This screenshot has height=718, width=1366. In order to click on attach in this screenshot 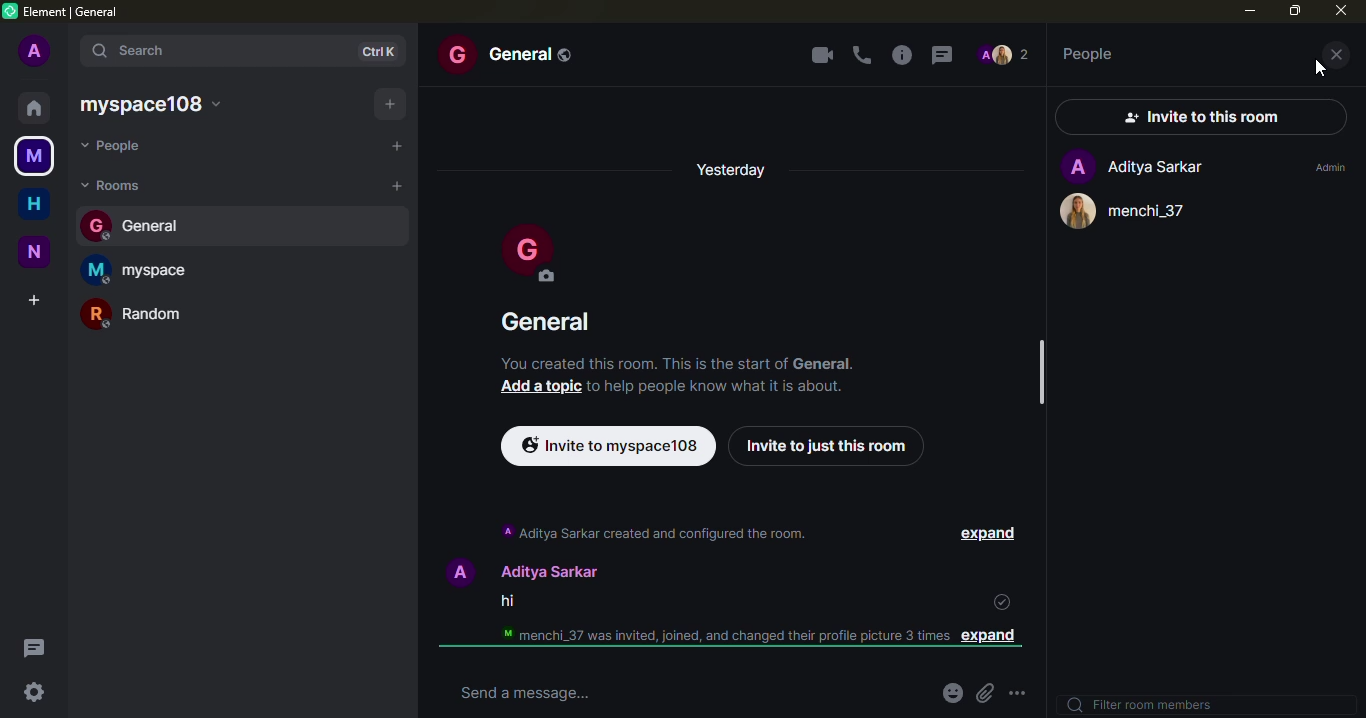, I will do `click(989, 693)`.